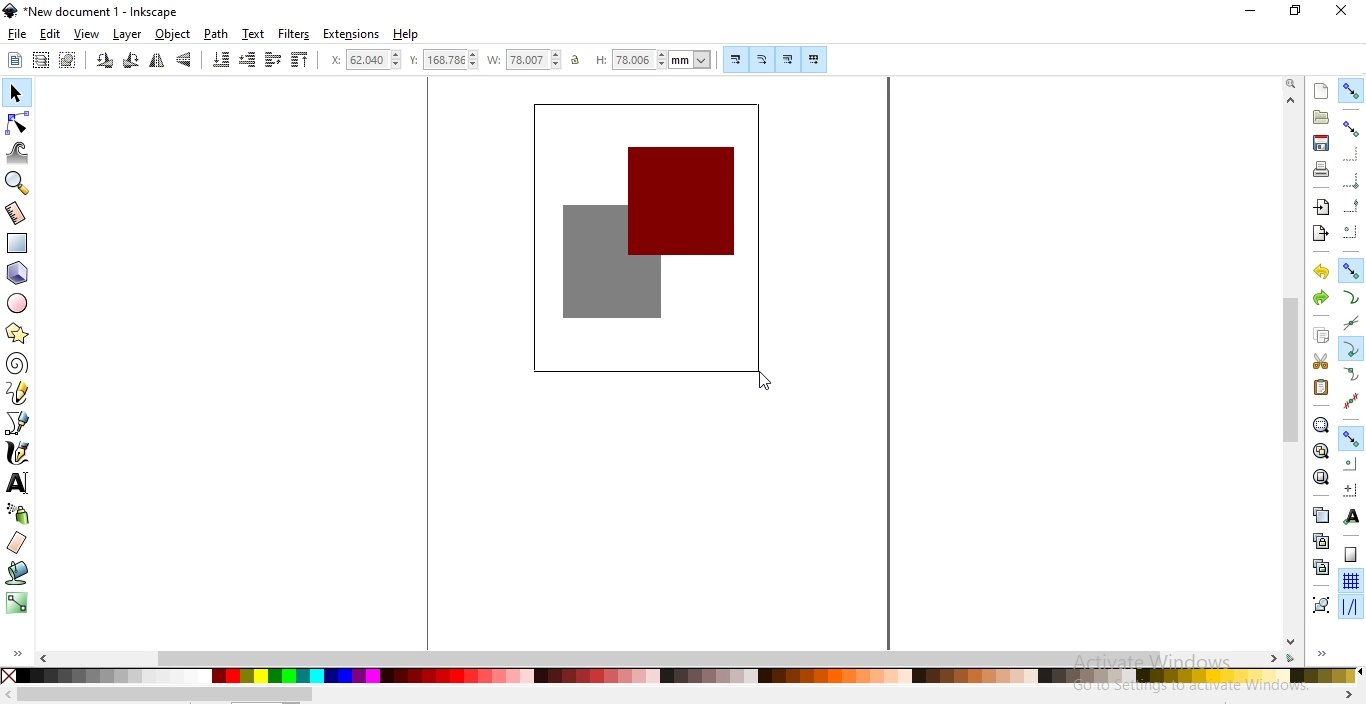 The image size is (1366, 704). What do you see at coordinates (1352, 206) in the screenshot?
I see `snap midpoints of bounding box edges` at bounding box center [1352, 206].